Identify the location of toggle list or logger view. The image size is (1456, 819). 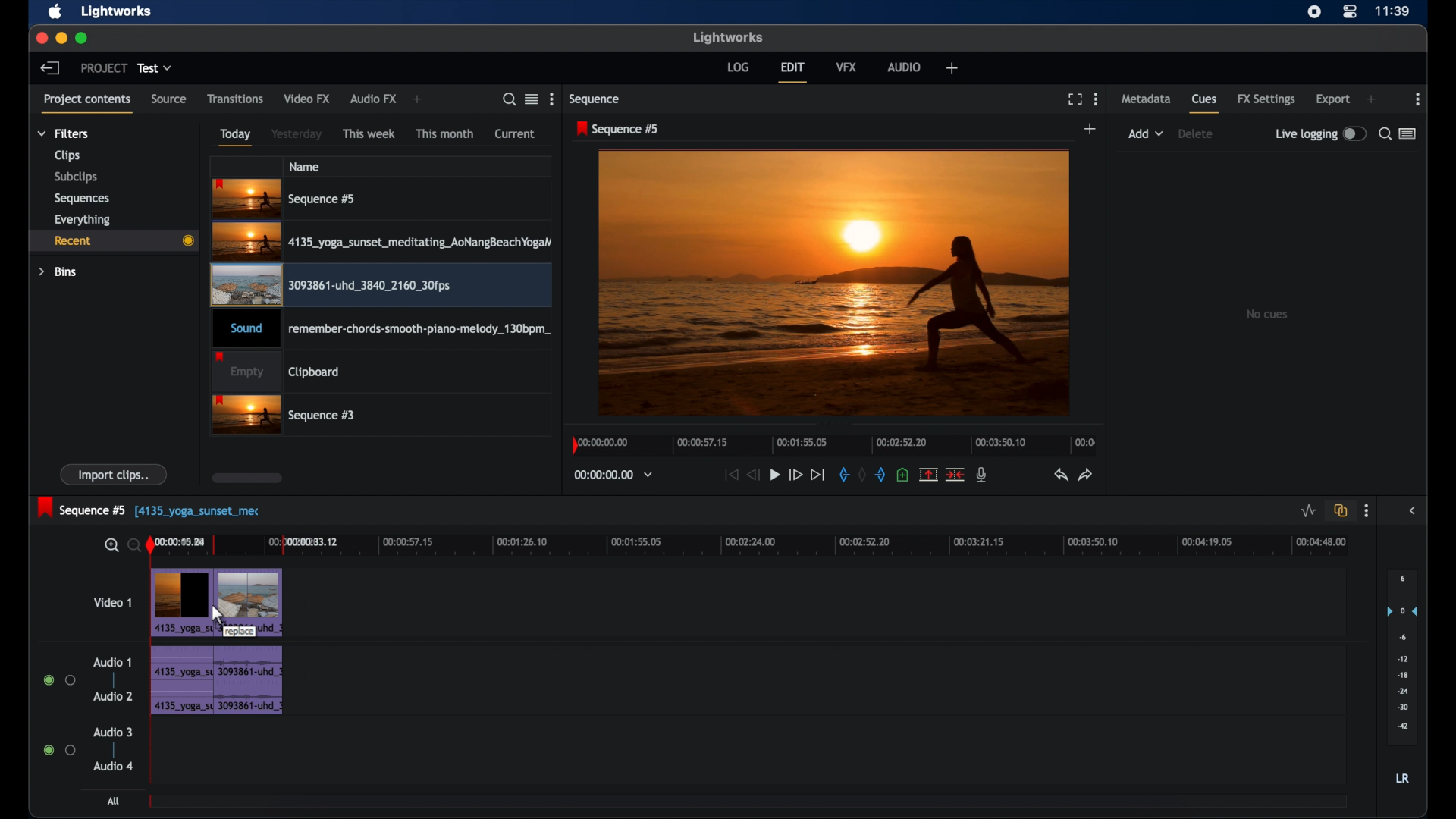
(1410, 133).